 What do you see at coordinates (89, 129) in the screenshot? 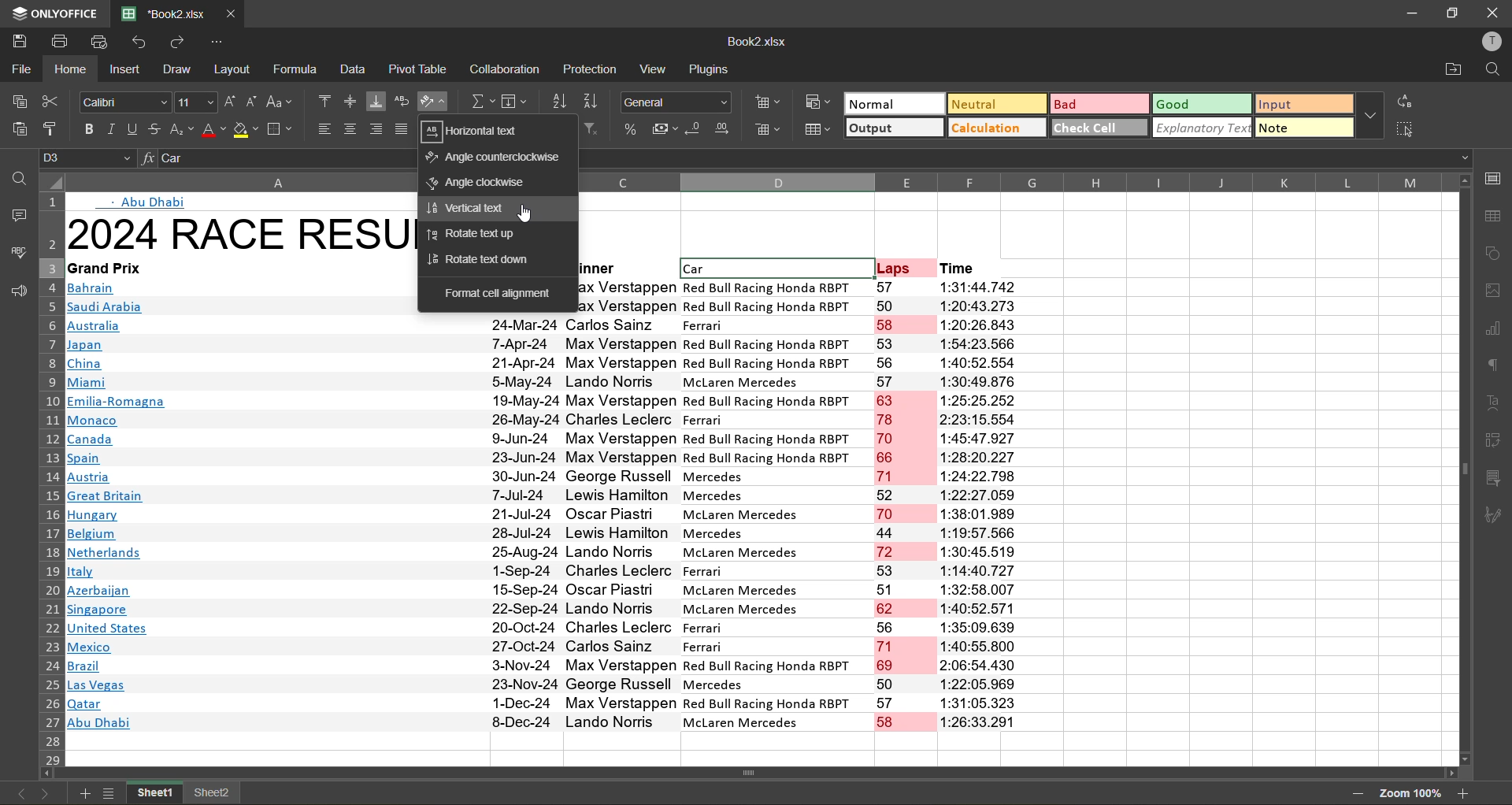
I see `bold` at bounding box center [89, 129].